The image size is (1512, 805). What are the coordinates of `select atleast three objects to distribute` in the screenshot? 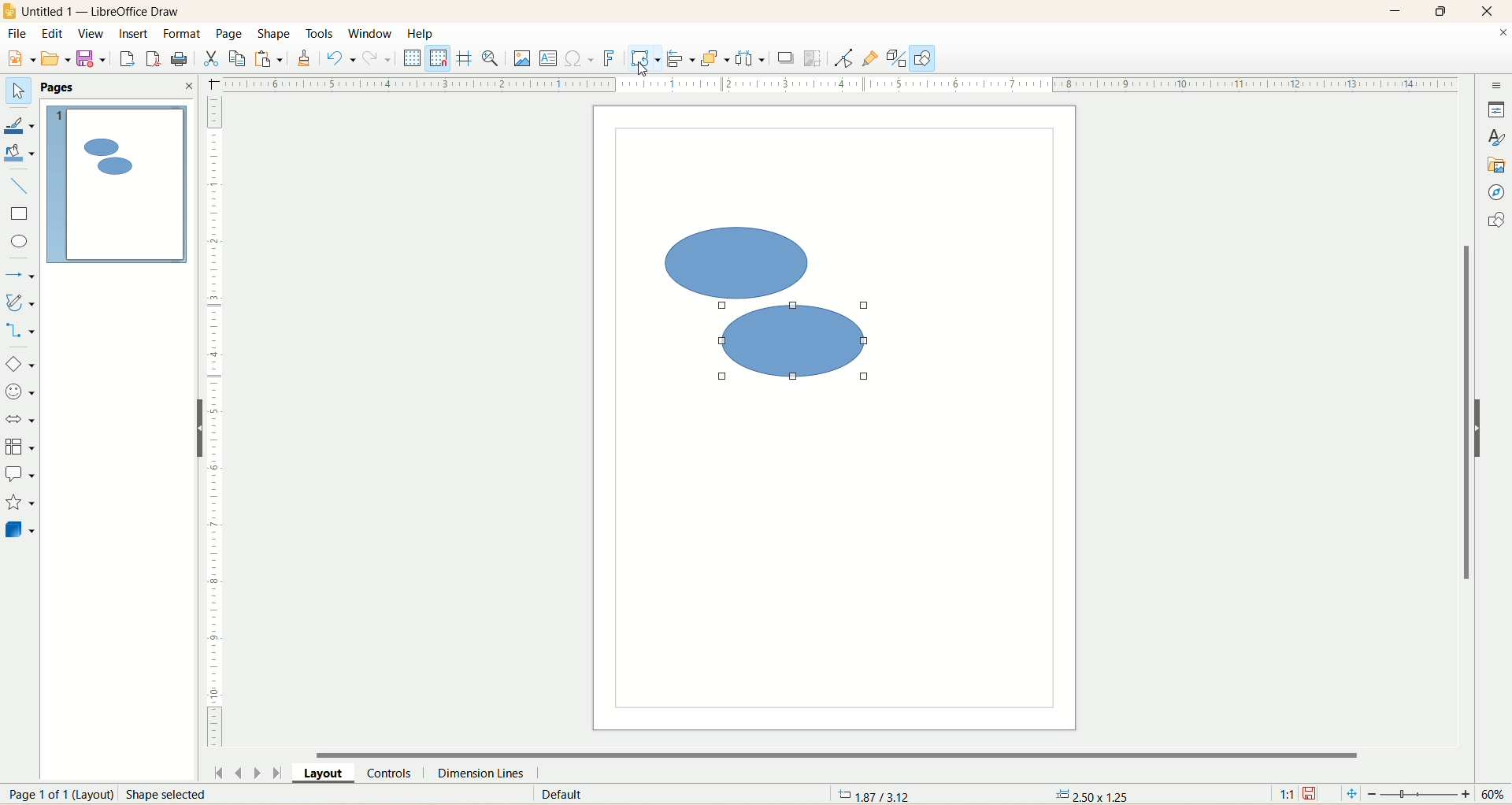 It's located at (752, 58).